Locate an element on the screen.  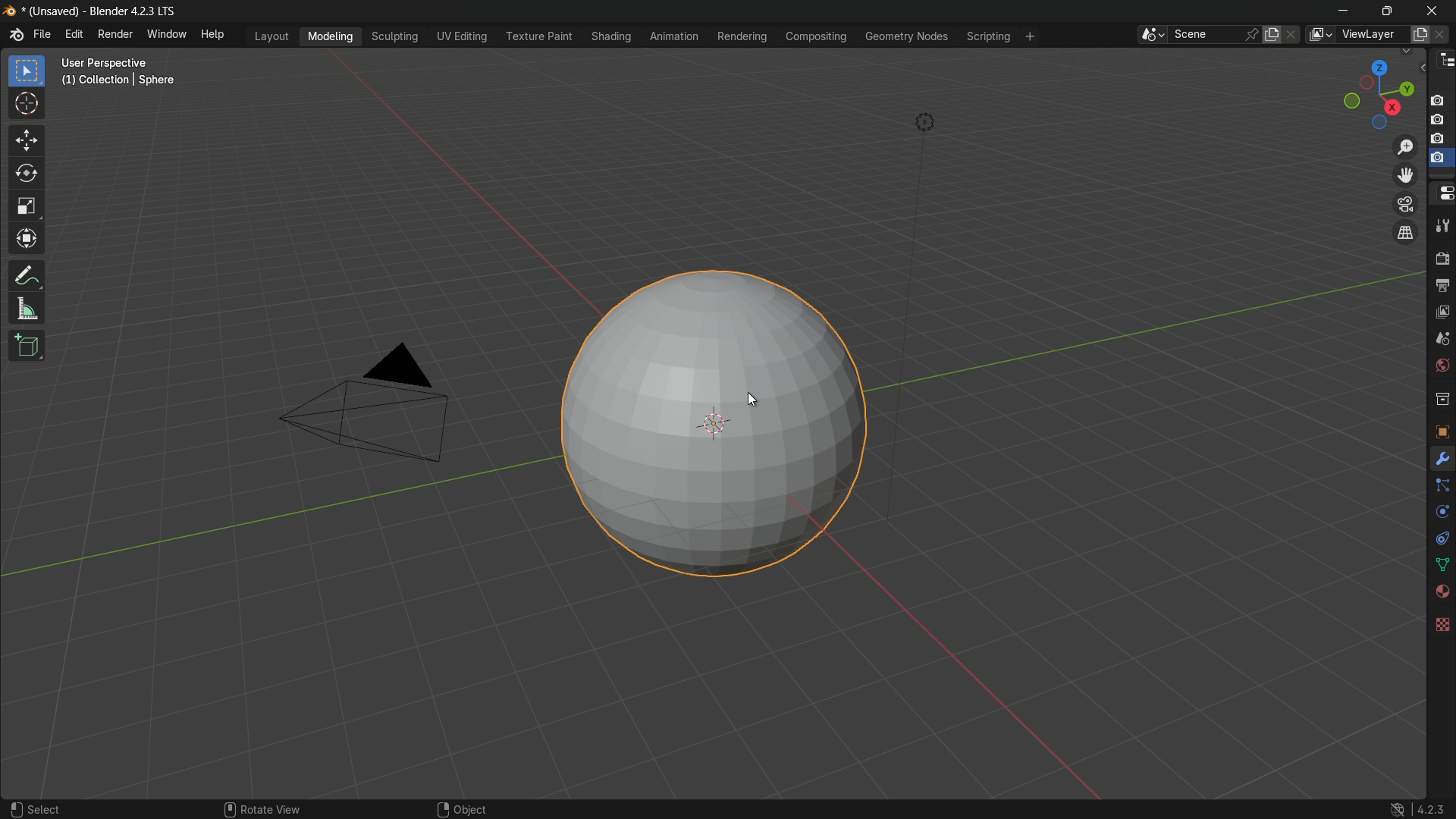
rotate is located at coordinates (27, 176).